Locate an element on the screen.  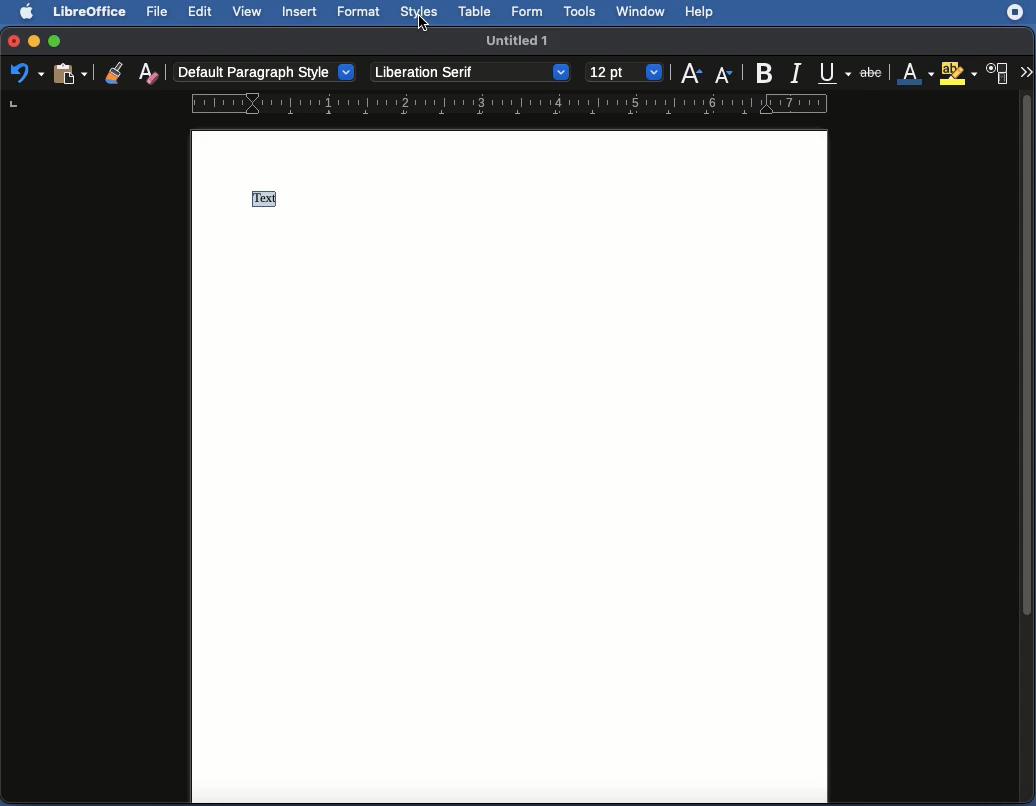
Underline is located at coordinates (836, 73).